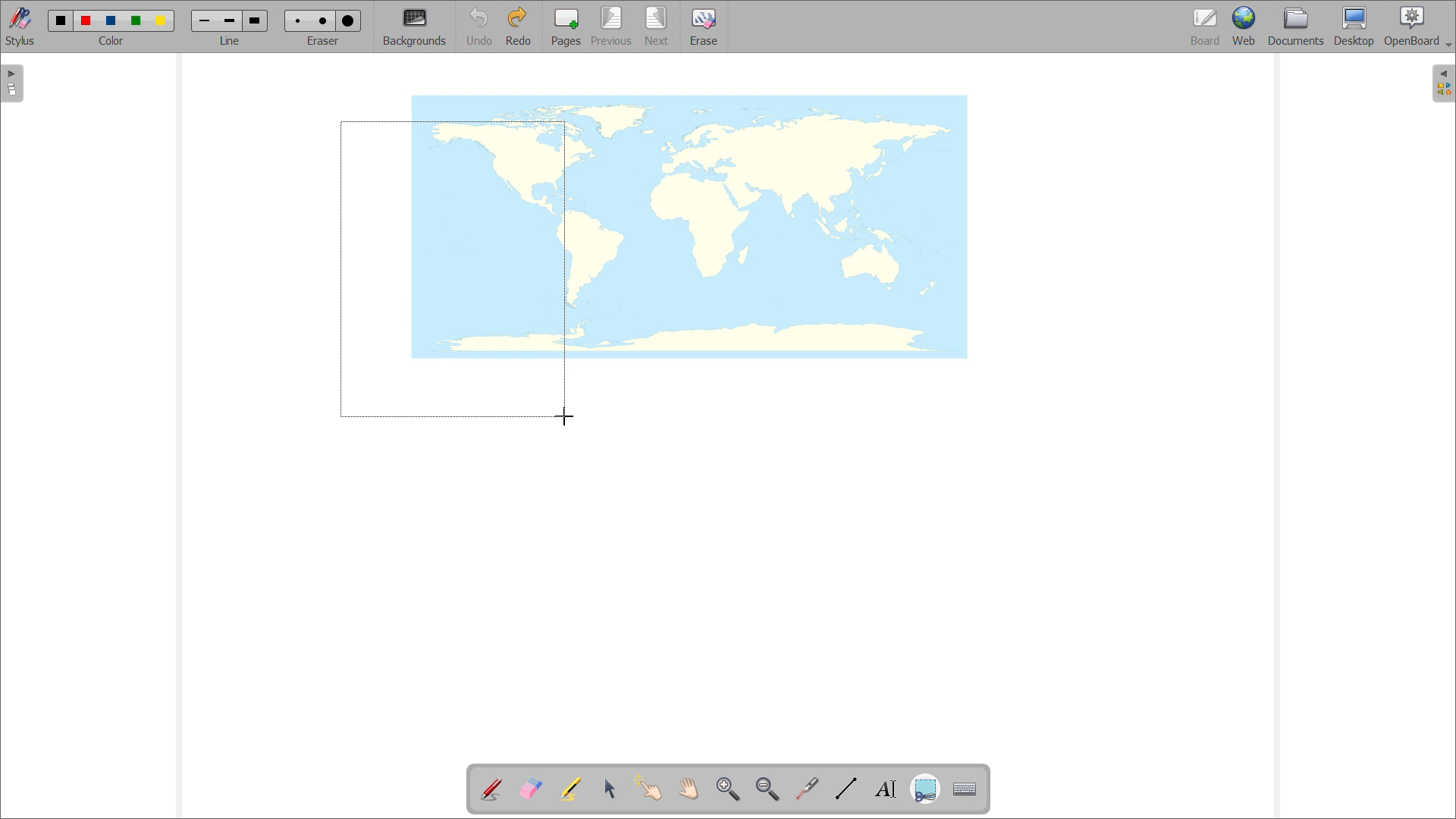 Image resolution: width=1456 pixels, height=819 pixels. Describe the element at coordinates (570, 789) in the screenshot. I see `highlights` at that location.